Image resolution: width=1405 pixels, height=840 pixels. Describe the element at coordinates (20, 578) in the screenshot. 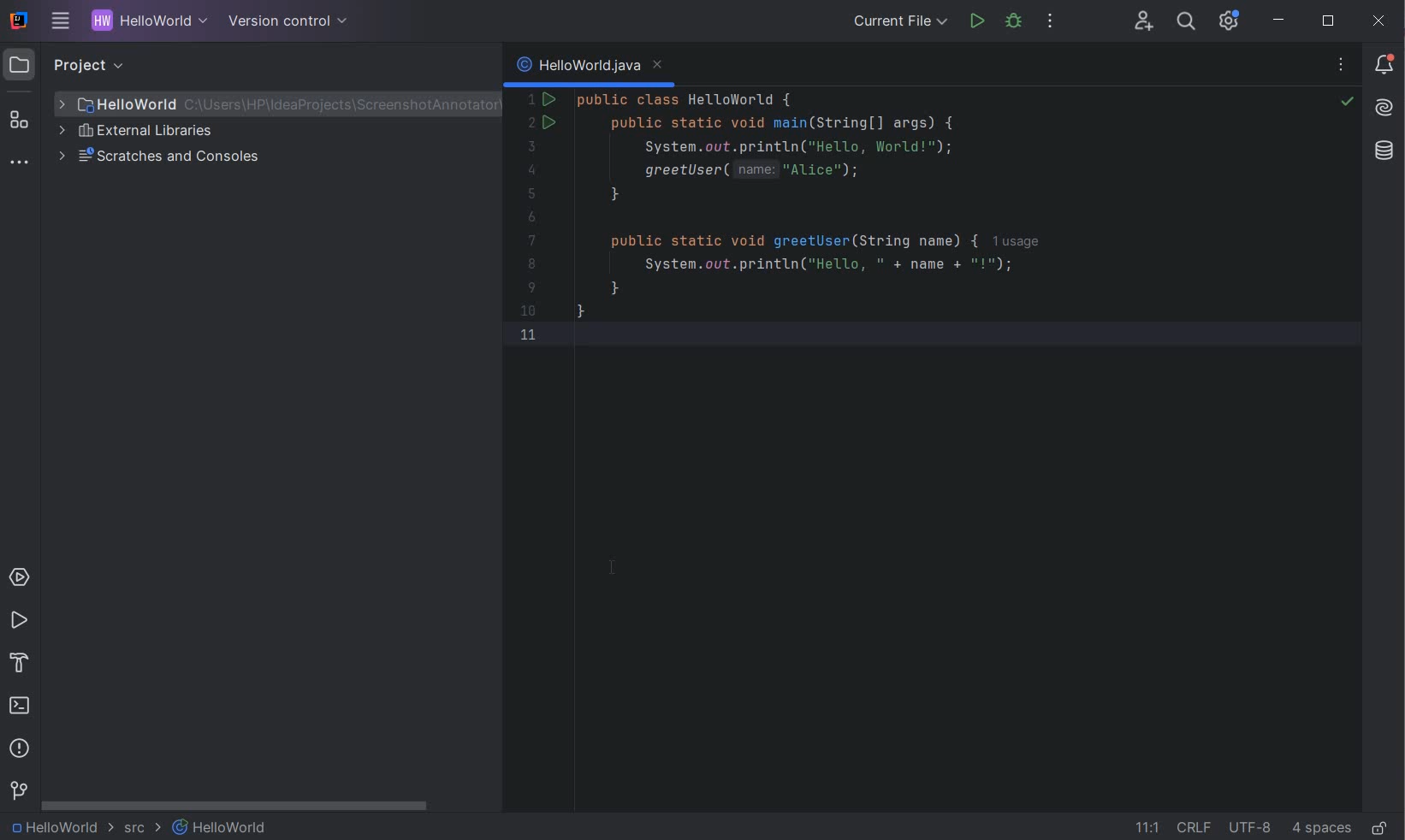

I see `SERVICES` at that location.